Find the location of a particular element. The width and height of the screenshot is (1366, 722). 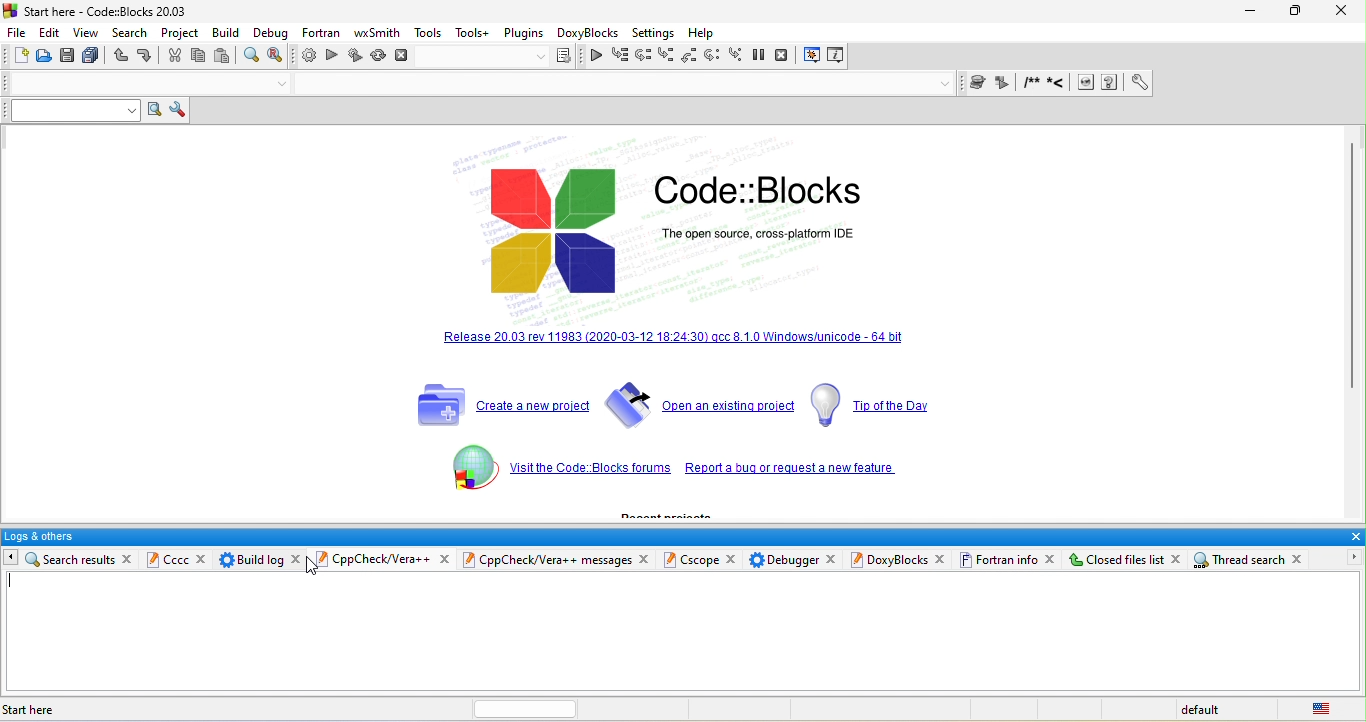

close is located at coordinates (312, 560).